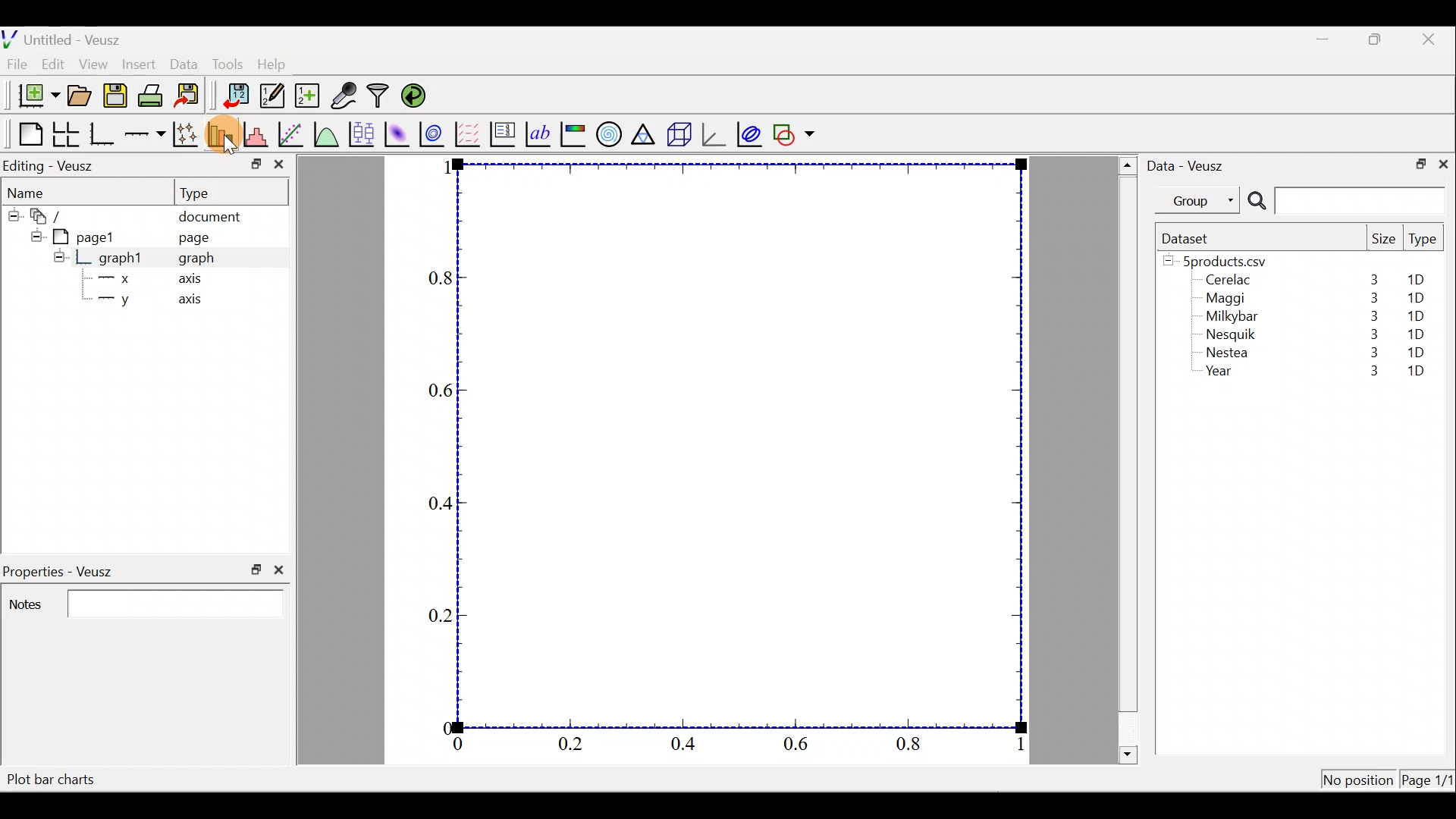 The height and width of the screenshot is (819, 1456). Describe the element at coordinates (1416, 372) in the screenshot. I see `1D` at that location.